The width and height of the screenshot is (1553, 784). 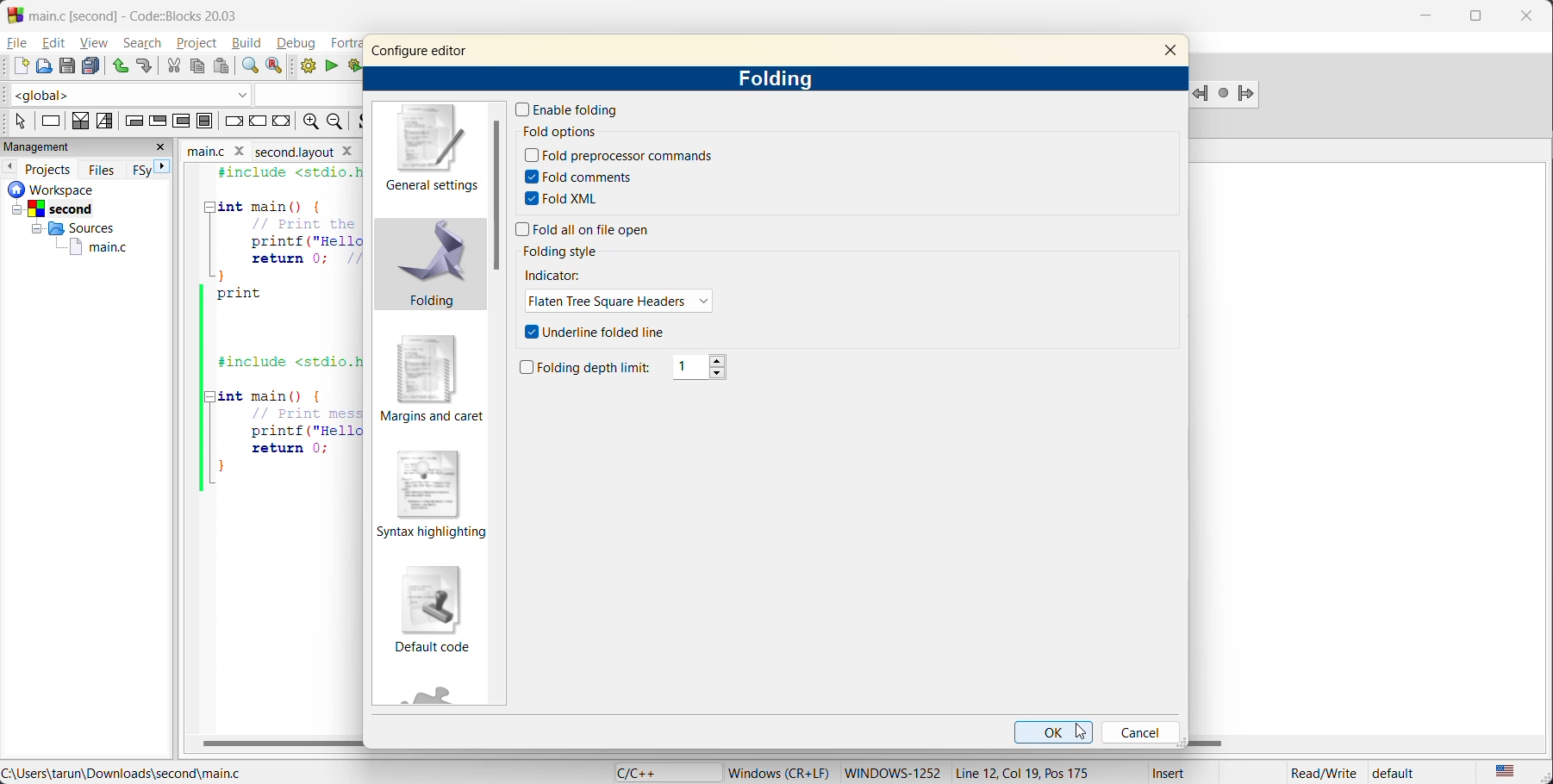 What do you see at coordinates (131, 772) in the screenshot?
I see `file location` at bounding box center [131, 772].